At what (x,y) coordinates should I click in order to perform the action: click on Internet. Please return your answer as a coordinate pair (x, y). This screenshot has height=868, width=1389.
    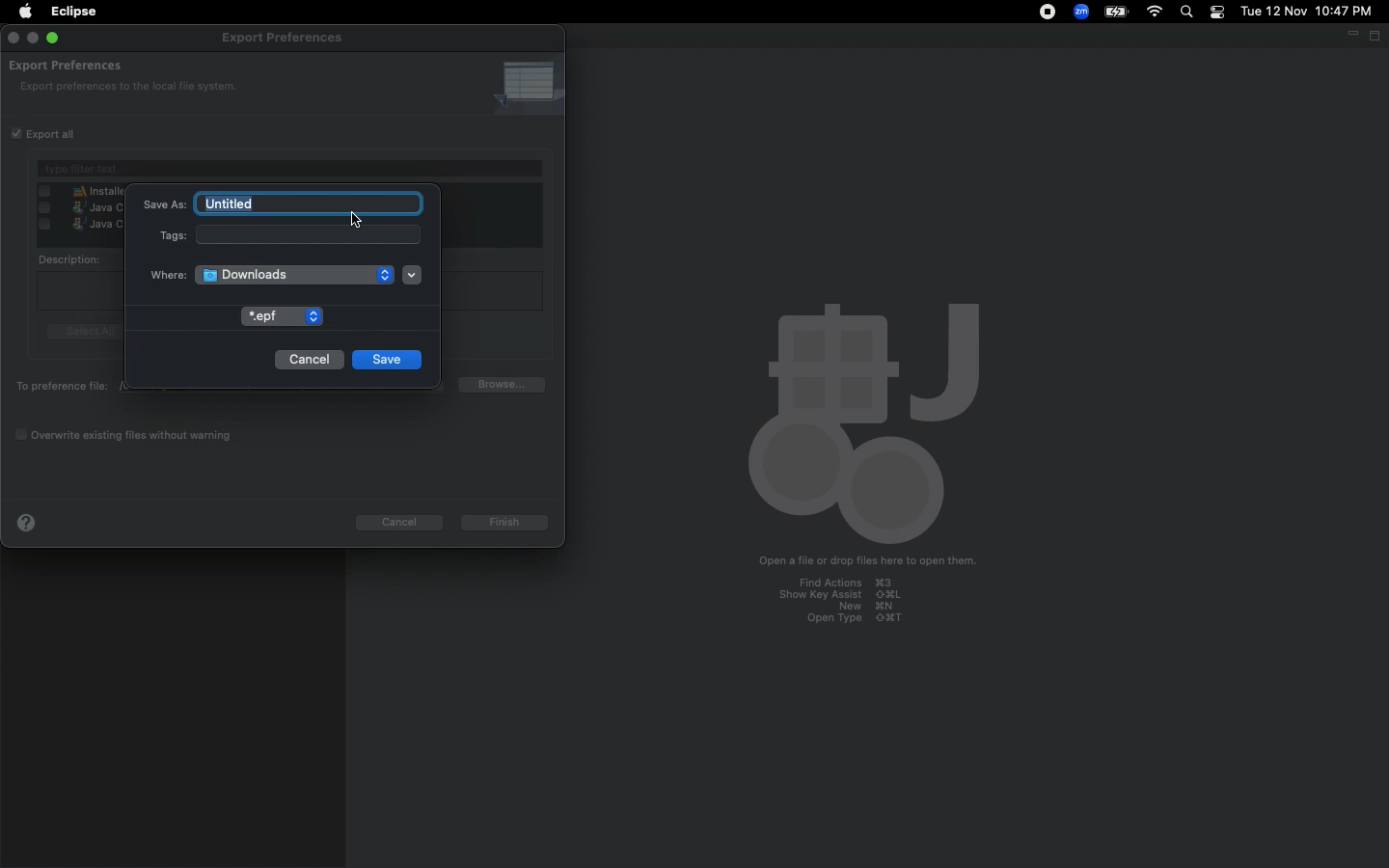
    Looking at the image, I should click on (1157, 12).